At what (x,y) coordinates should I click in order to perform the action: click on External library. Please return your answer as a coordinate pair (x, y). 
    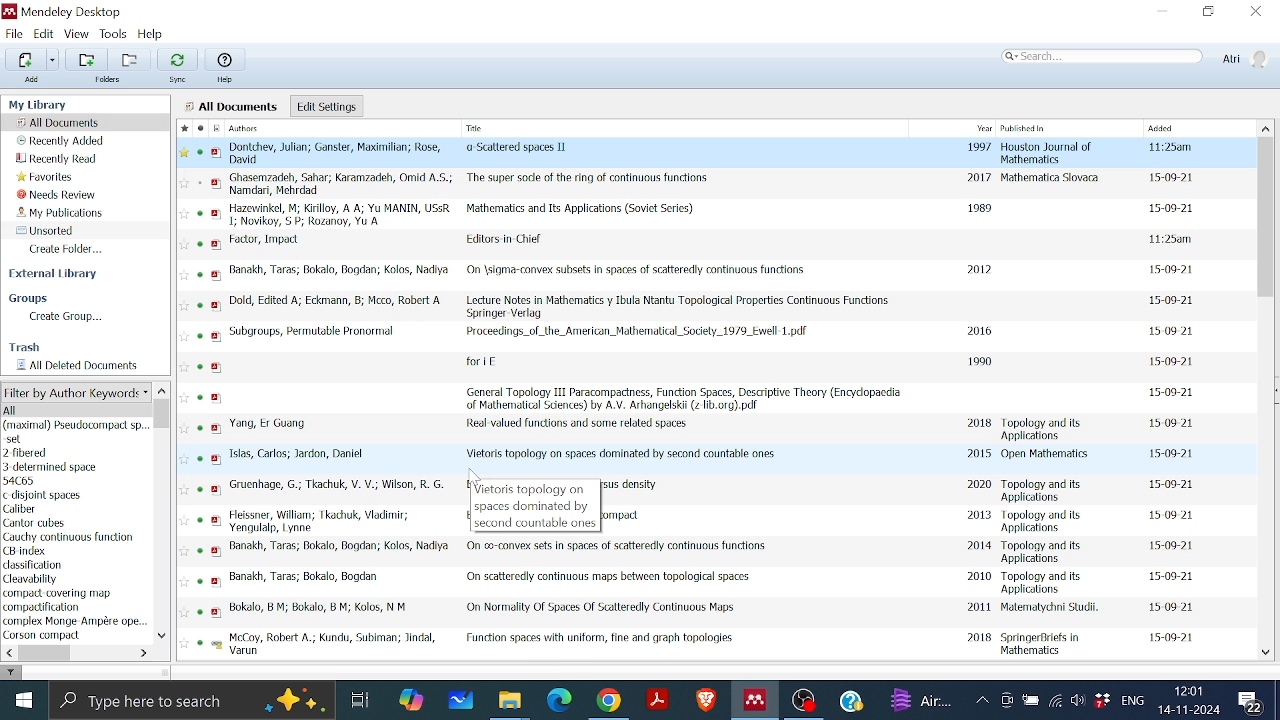
    Looking at the image, I should click on (59, 272).